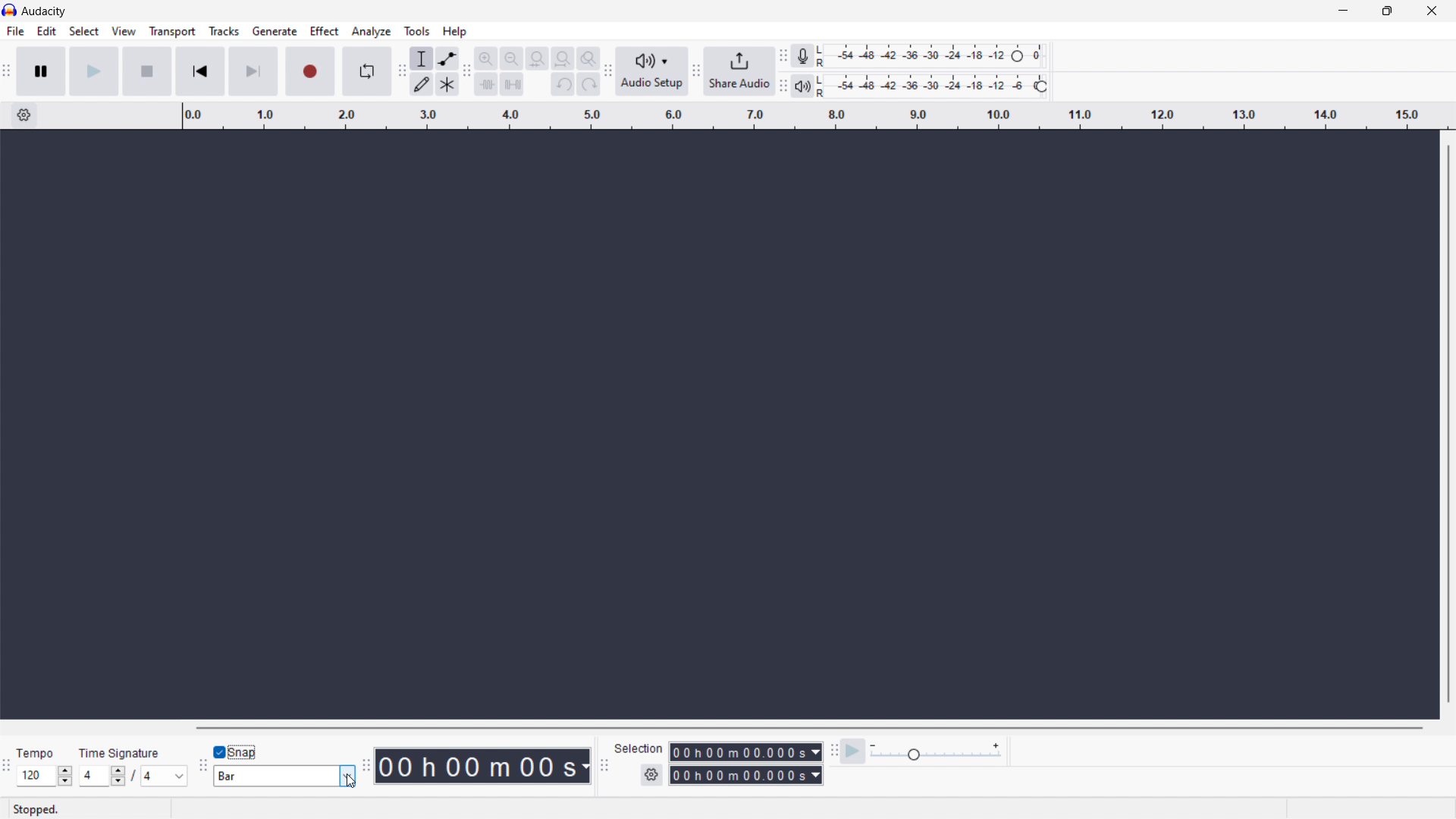 The width and height of the screenshot is (1456, 819). What do you see at coordinates (366, 71) in the screenshot?
I see `enable looping` at bounding box center [366, 71].